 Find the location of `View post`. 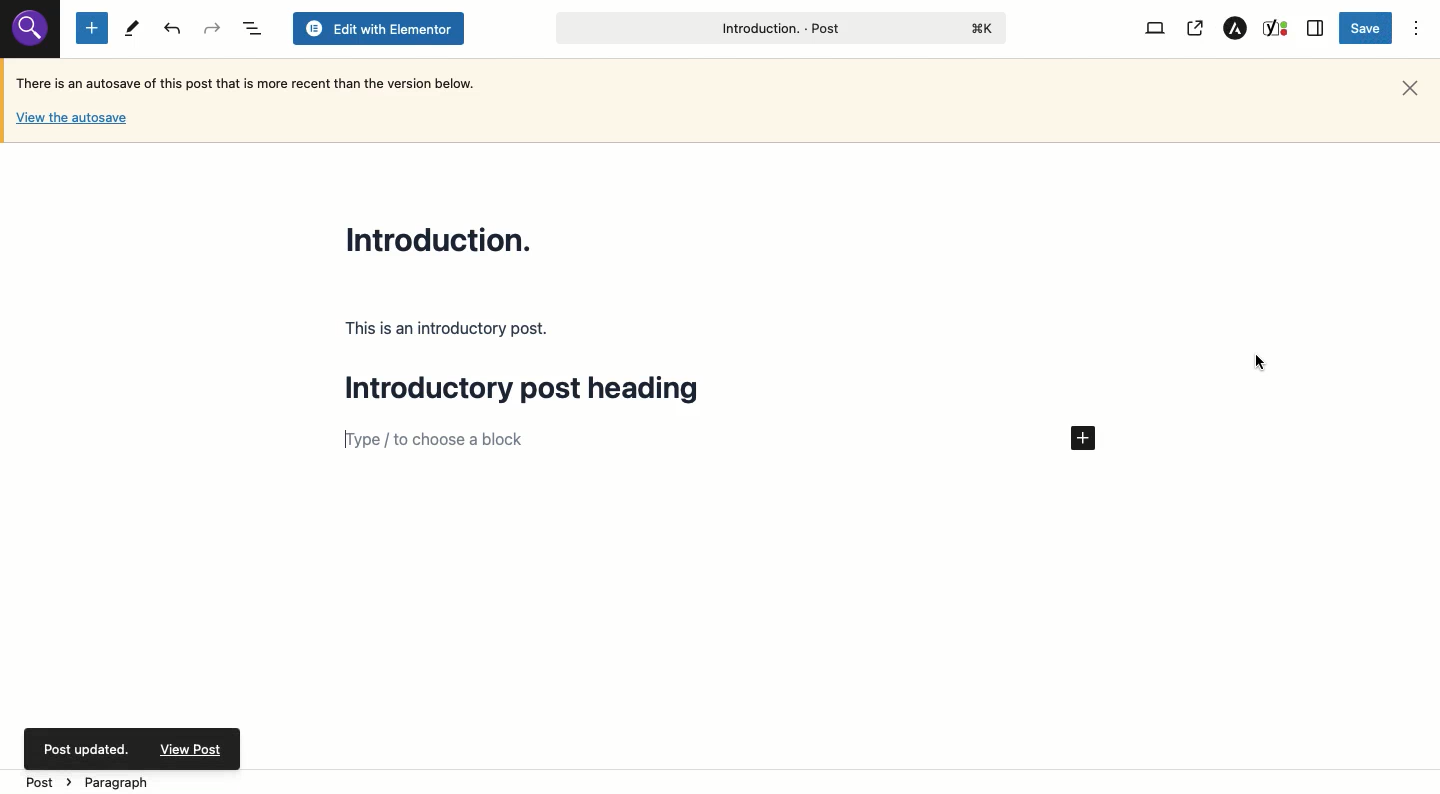

View post is located at coordinates (1194, 29).